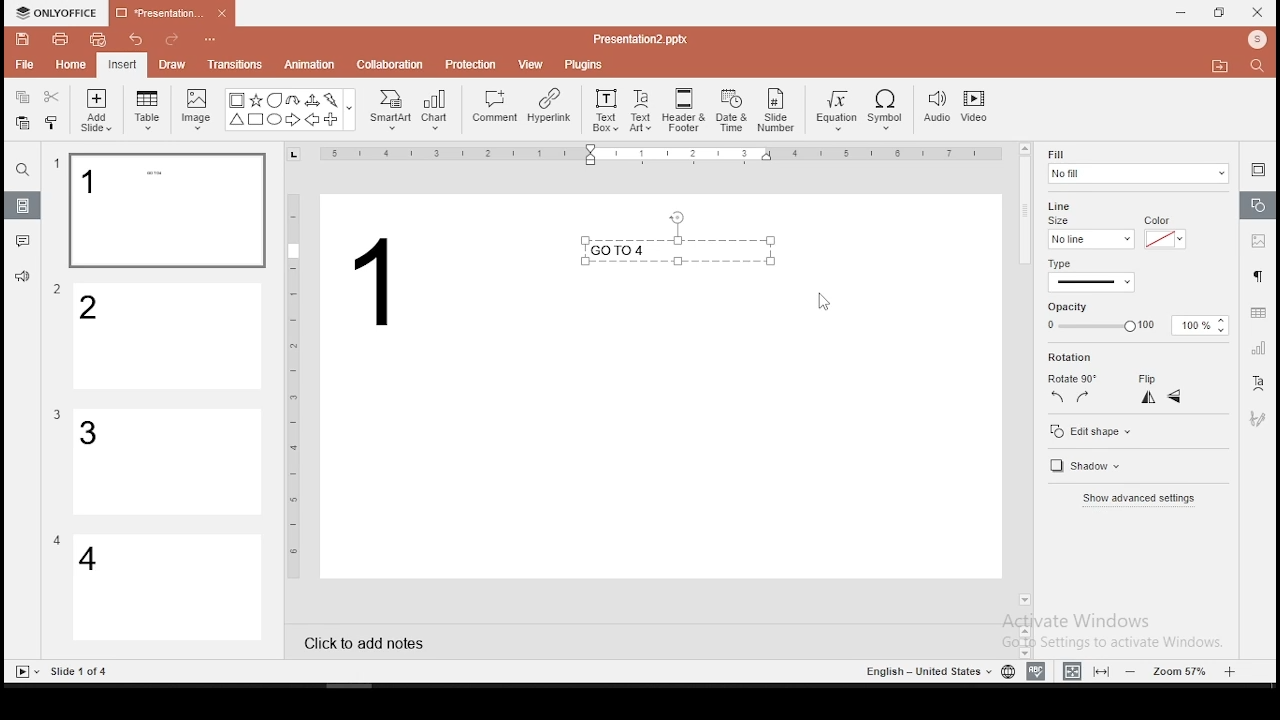 The height and width of the screenshot is (720, 1280). Describe the element at coordinates (1103, 358) in the screenshot. I see `rotation` at that location.